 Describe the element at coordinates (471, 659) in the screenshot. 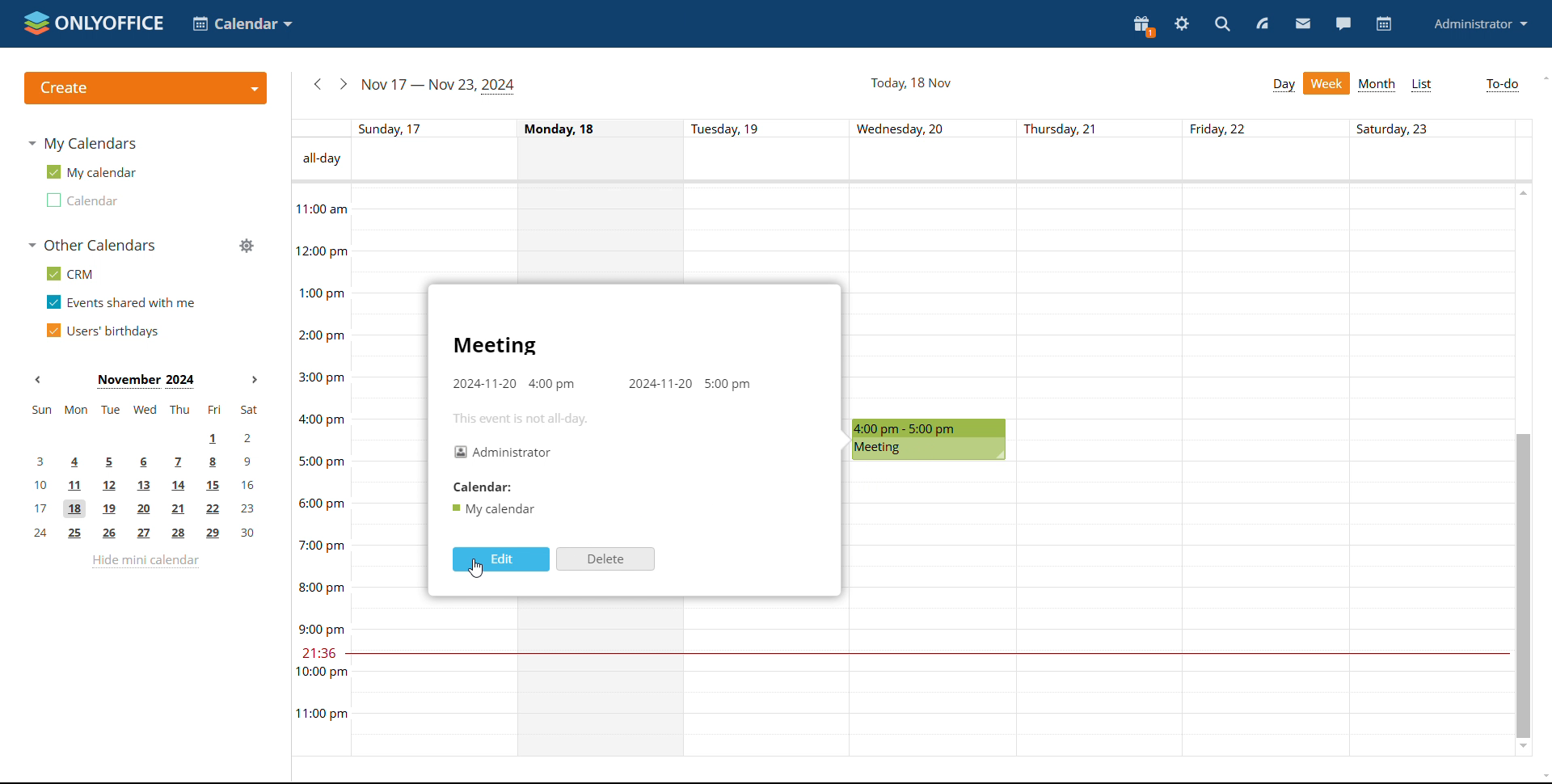

I see `time slot, sunday 17th` at that location.